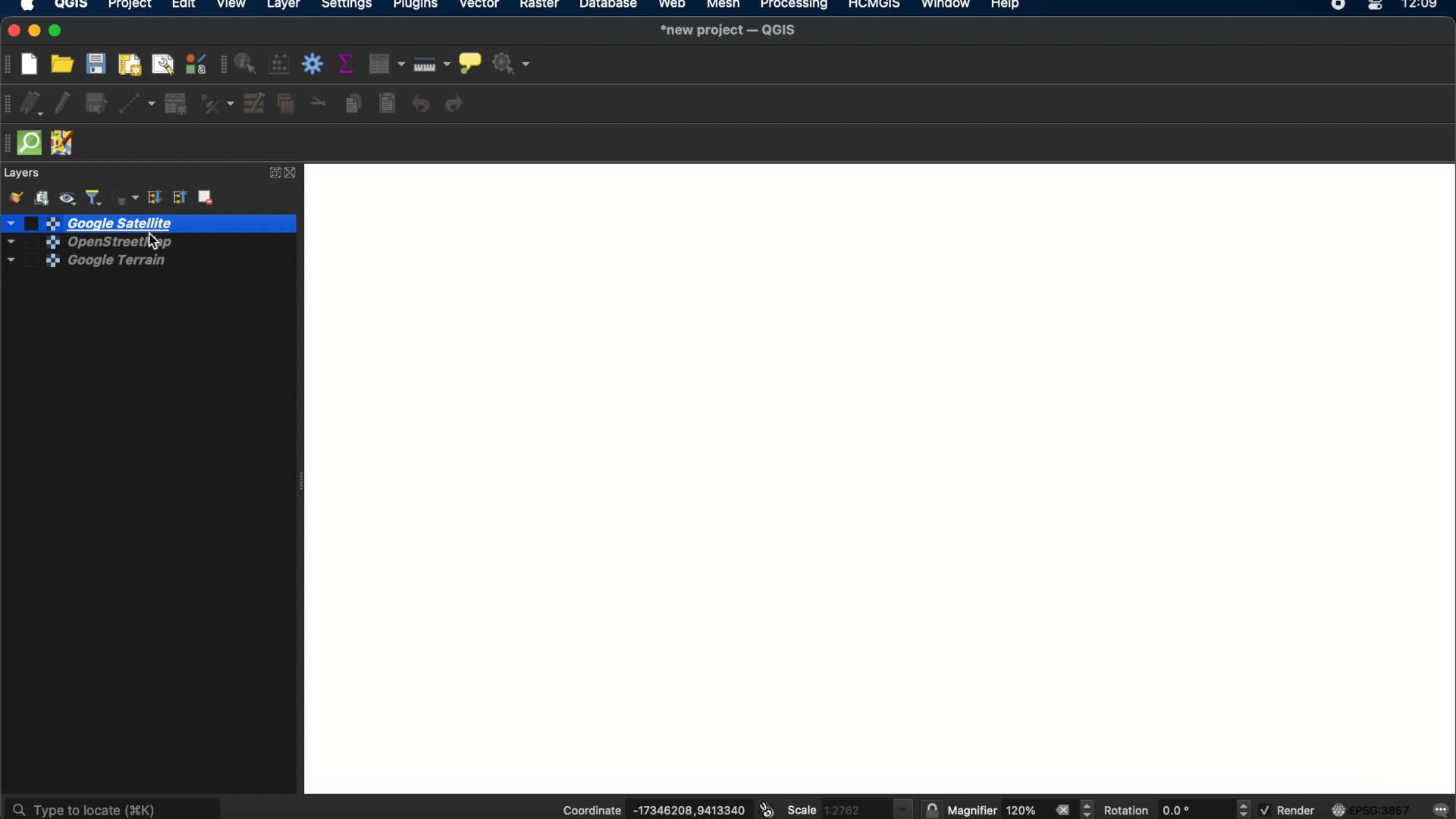 The width and height of the screenshot is (1456, 819). What do you see at coordinates (353, 103) in the screenshot?
I see `copy features` at bounding box center [353, 103].